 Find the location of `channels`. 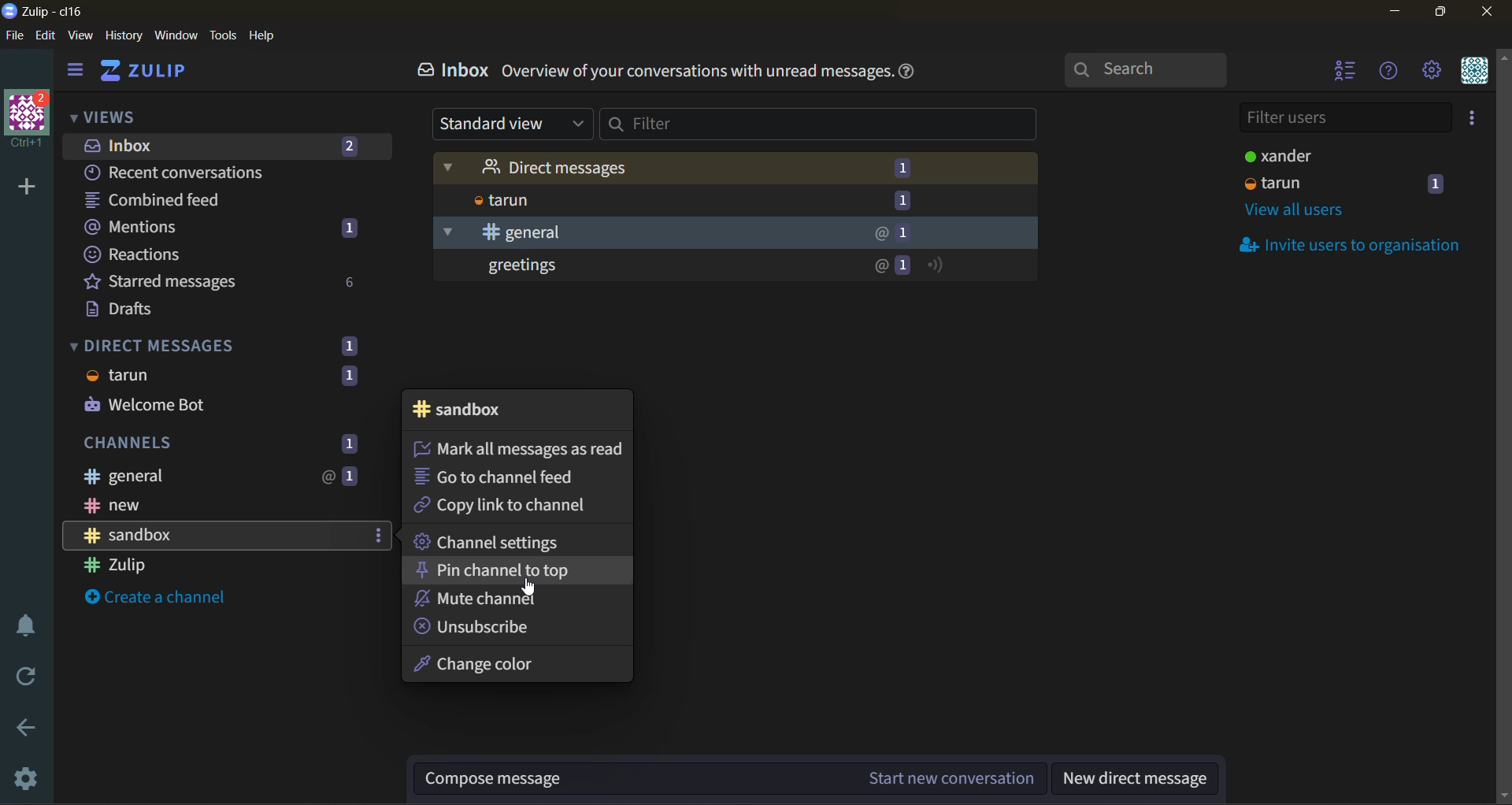

channels is located at coordinates (235, 441).